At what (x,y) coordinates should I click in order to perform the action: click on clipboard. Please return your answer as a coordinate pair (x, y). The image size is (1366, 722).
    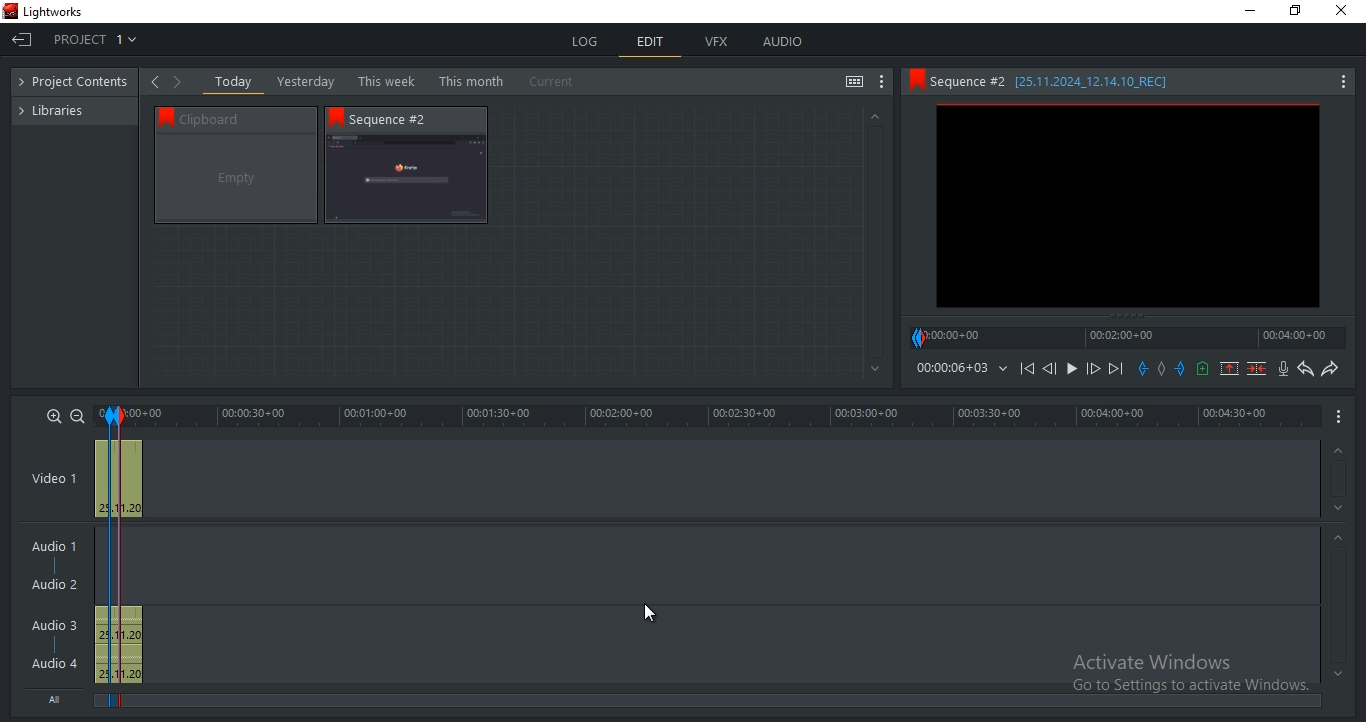
    Looking at the image, I should click on (236, 179).